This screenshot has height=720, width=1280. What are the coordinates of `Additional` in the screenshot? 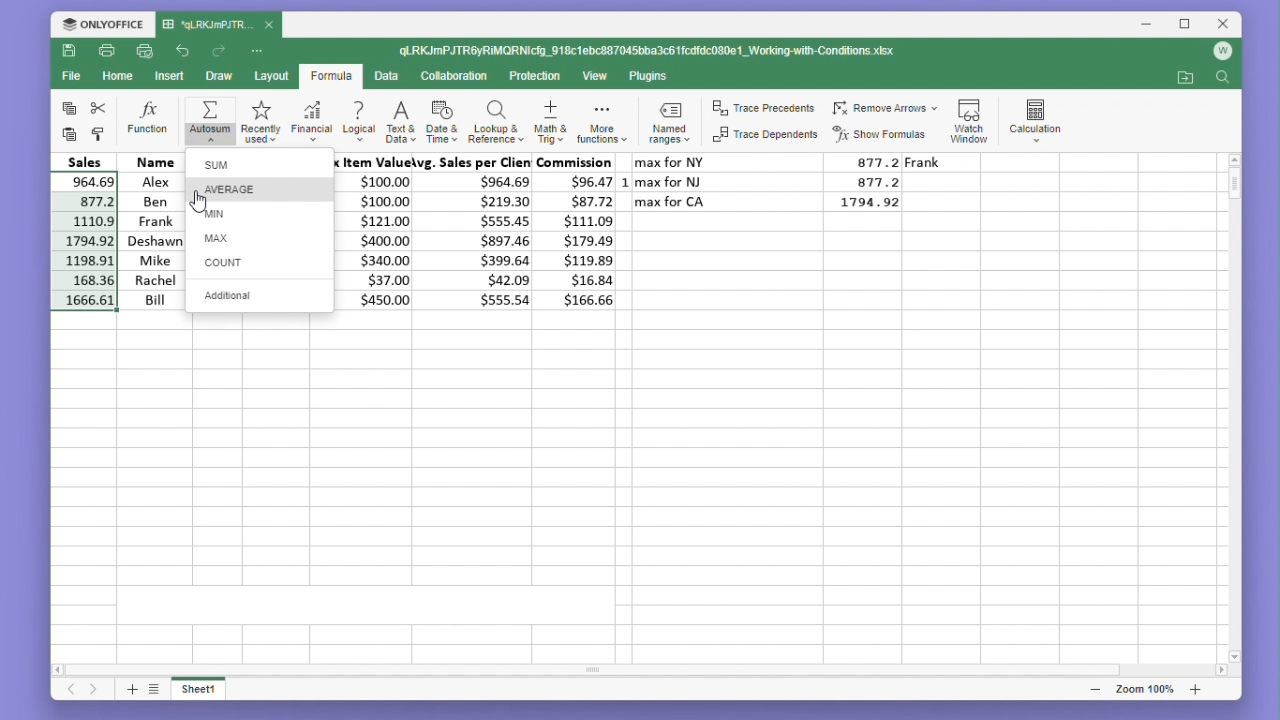 It's located at (261, 294).